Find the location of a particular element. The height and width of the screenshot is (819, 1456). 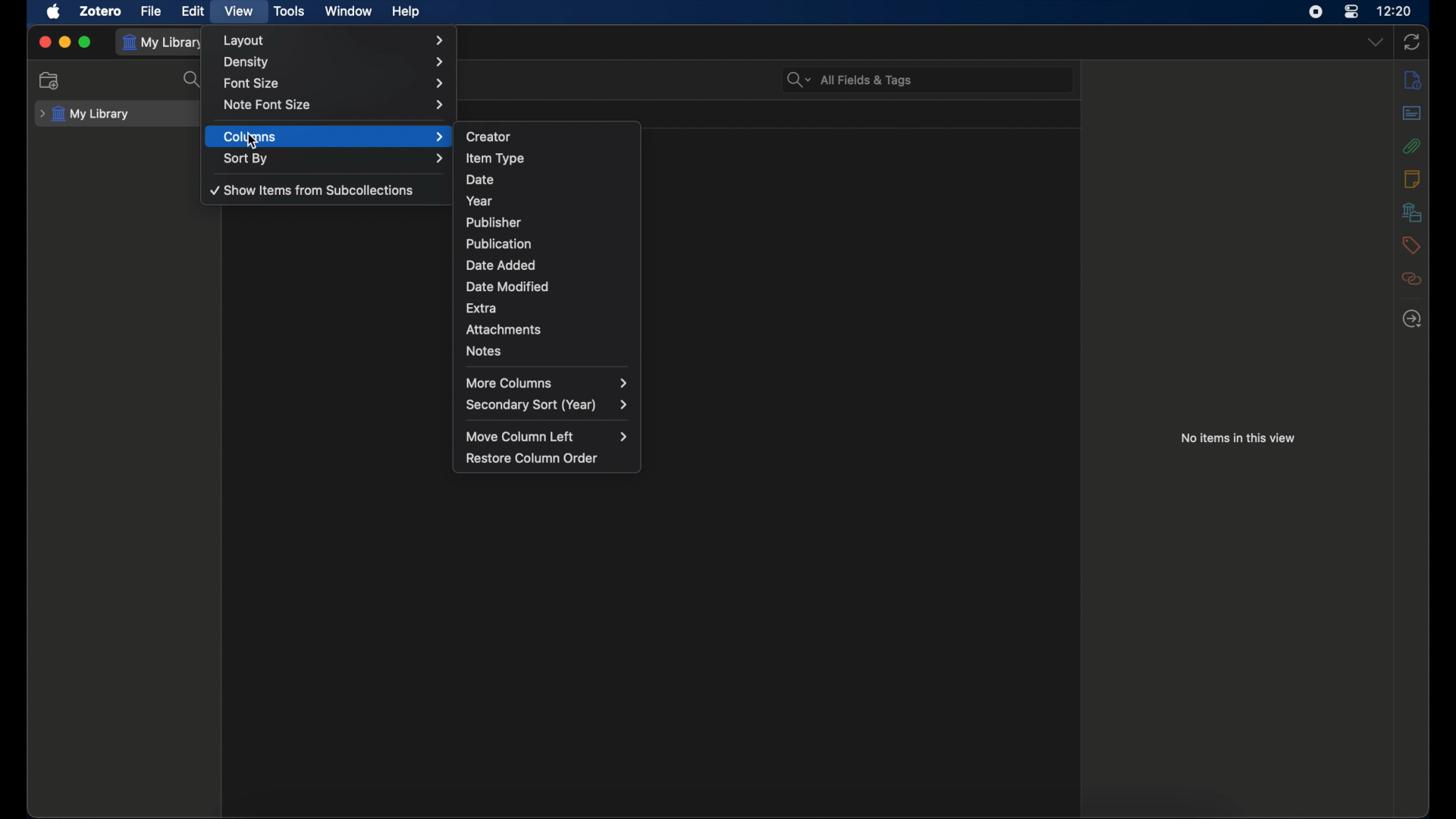

date is located at coordinates (482, 180).